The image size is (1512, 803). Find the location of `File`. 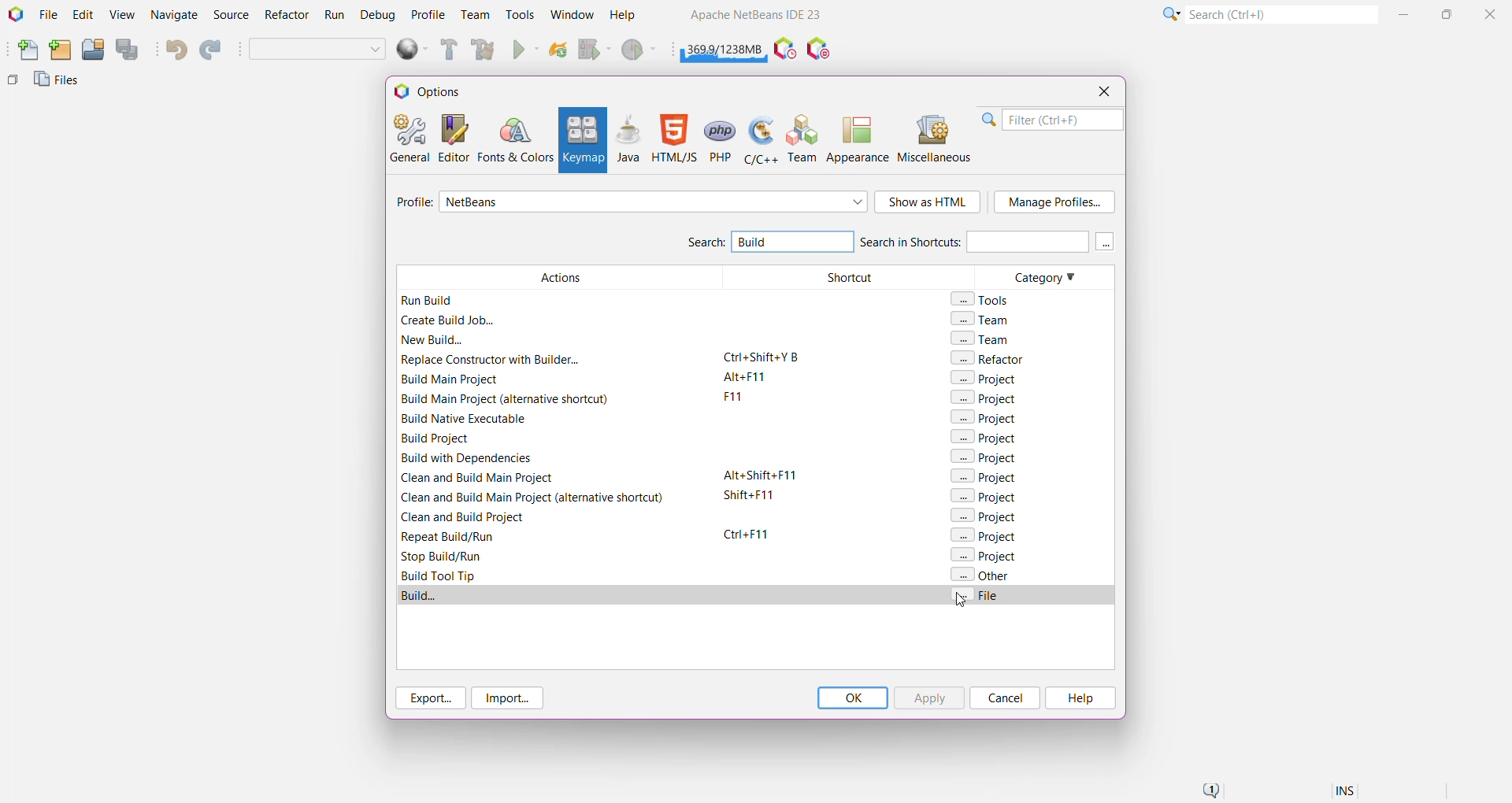

File is located at coordinates (48, 15).